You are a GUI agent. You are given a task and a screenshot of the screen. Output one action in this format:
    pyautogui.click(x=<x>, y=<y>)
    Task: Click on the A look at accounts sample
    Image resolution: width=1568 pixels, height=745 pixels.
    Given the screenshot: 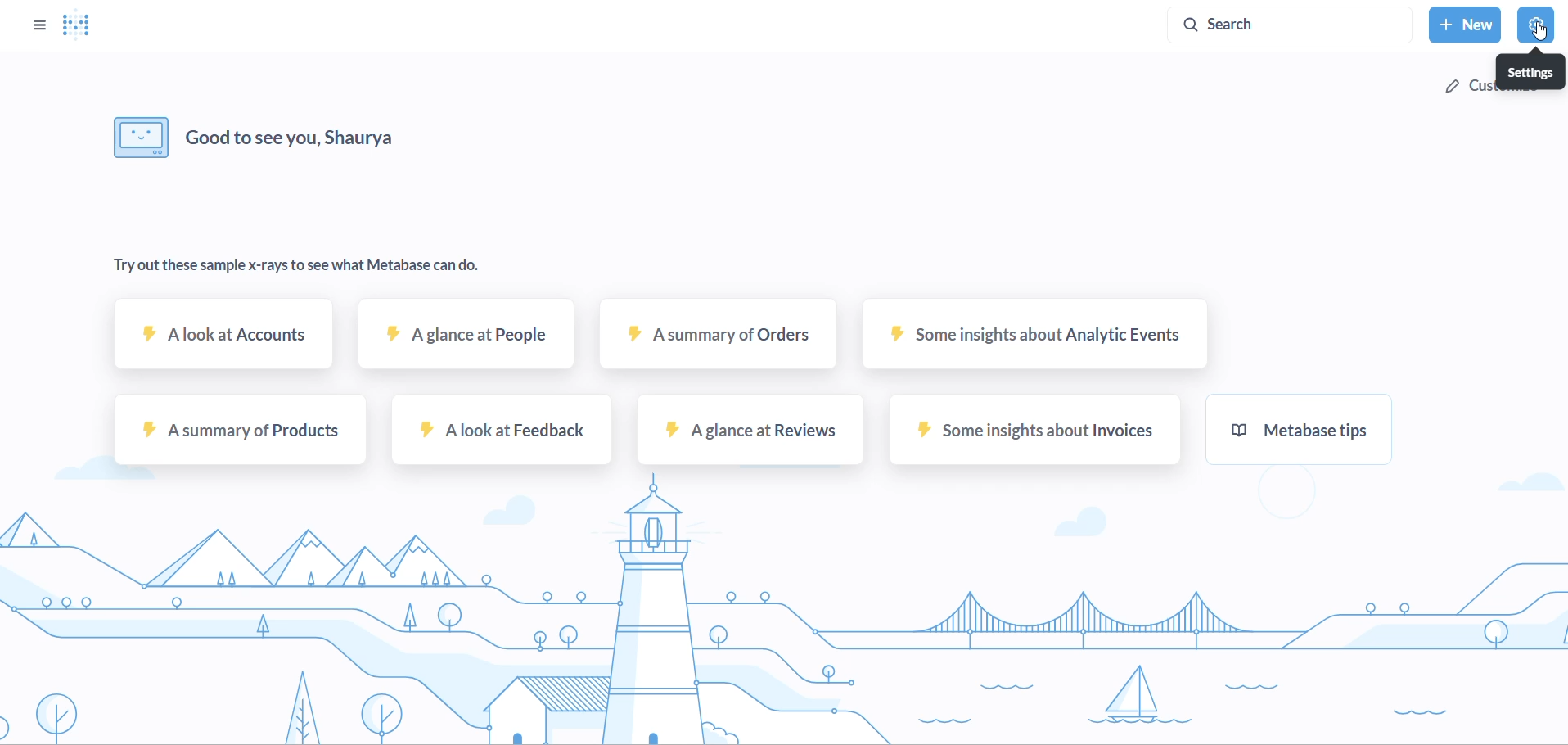 What is the action you would take?
    pyautogui.click(x=225, y=343)
    